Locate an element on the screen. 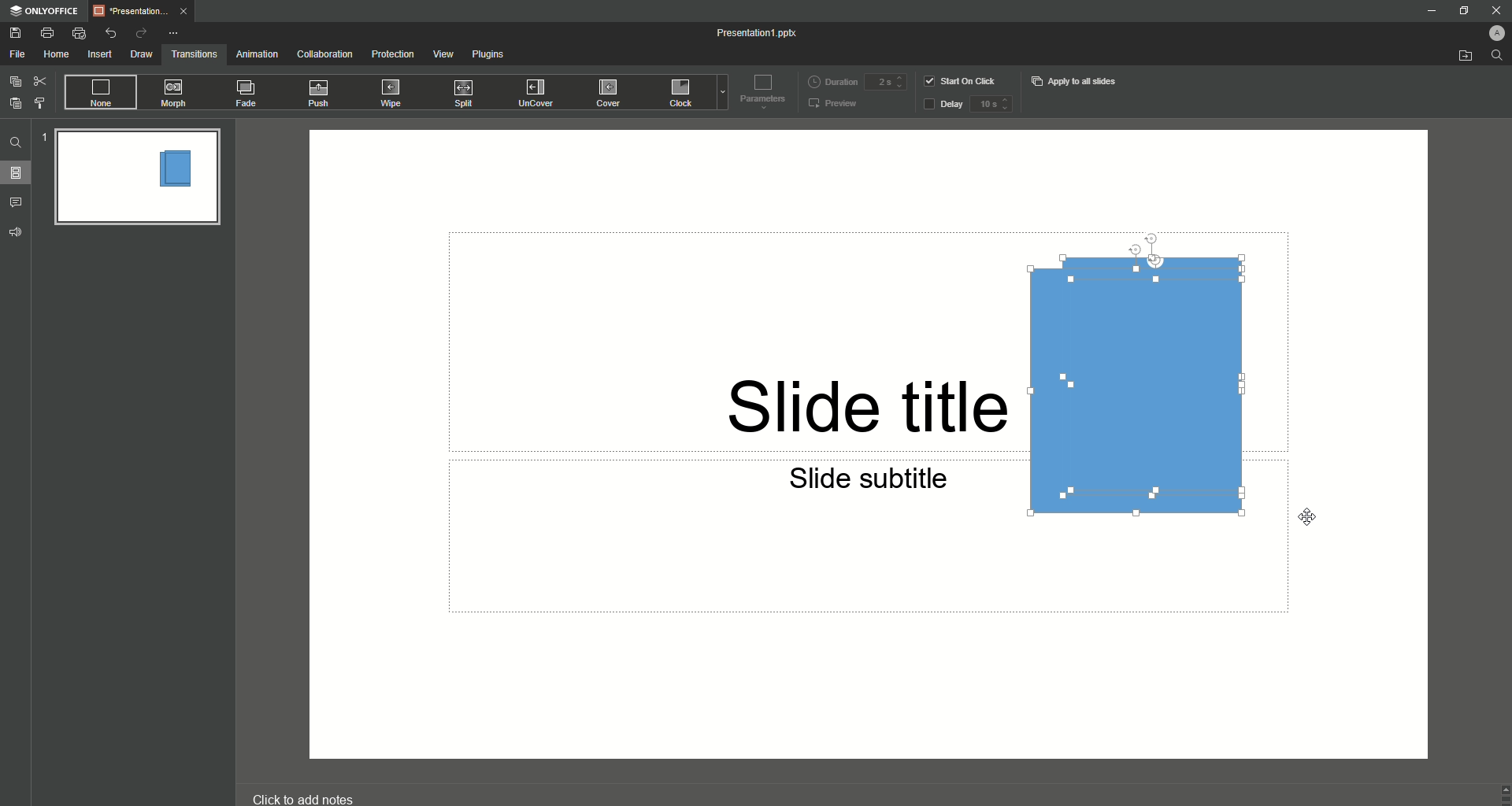 This screenshot has height=806, width=1512. ONLYOFFICE is located at coordinates (44, 11).